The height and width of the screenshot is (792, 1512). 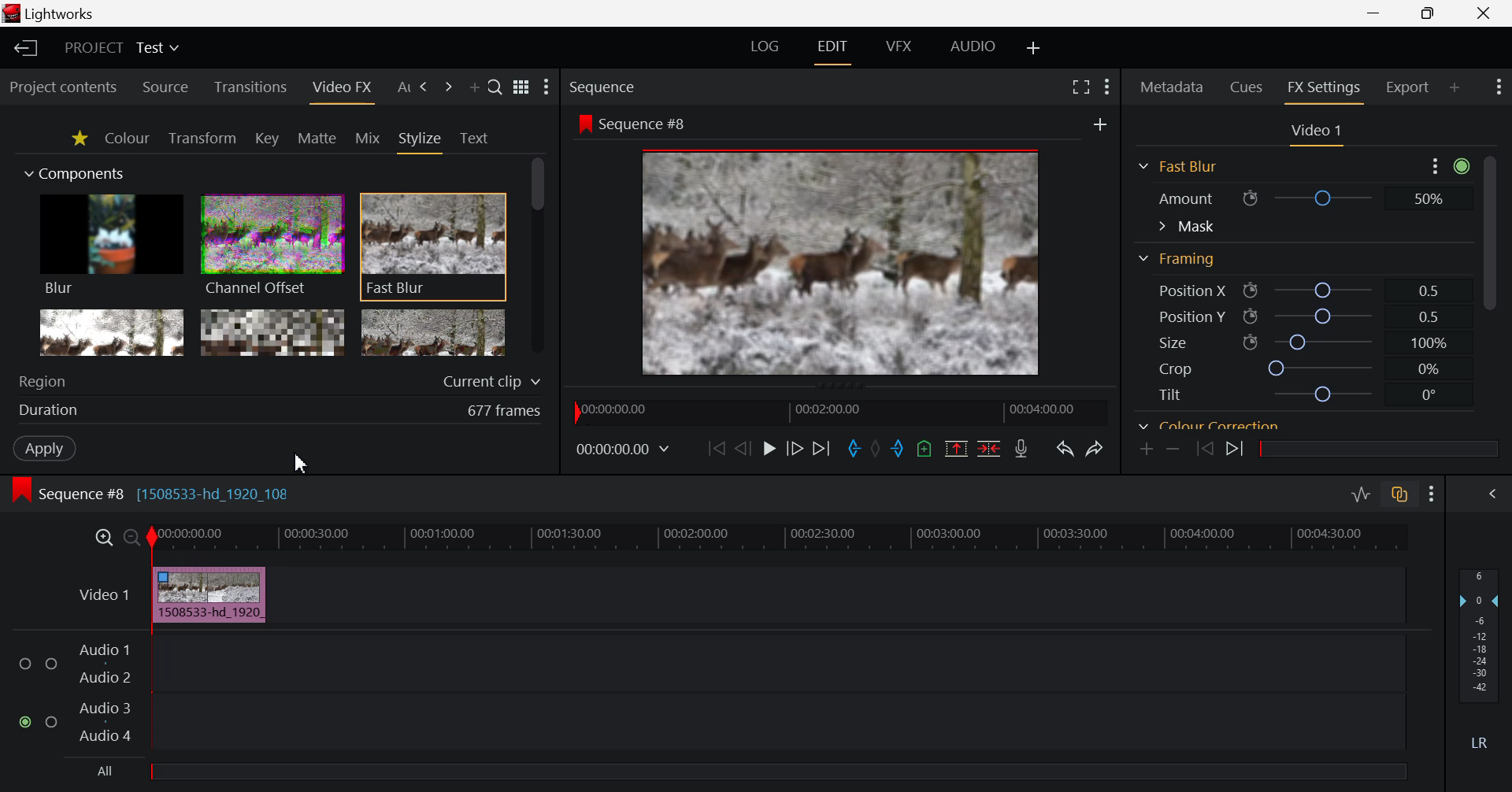 I want to click on Frame Time, so click(x=624, y=448).